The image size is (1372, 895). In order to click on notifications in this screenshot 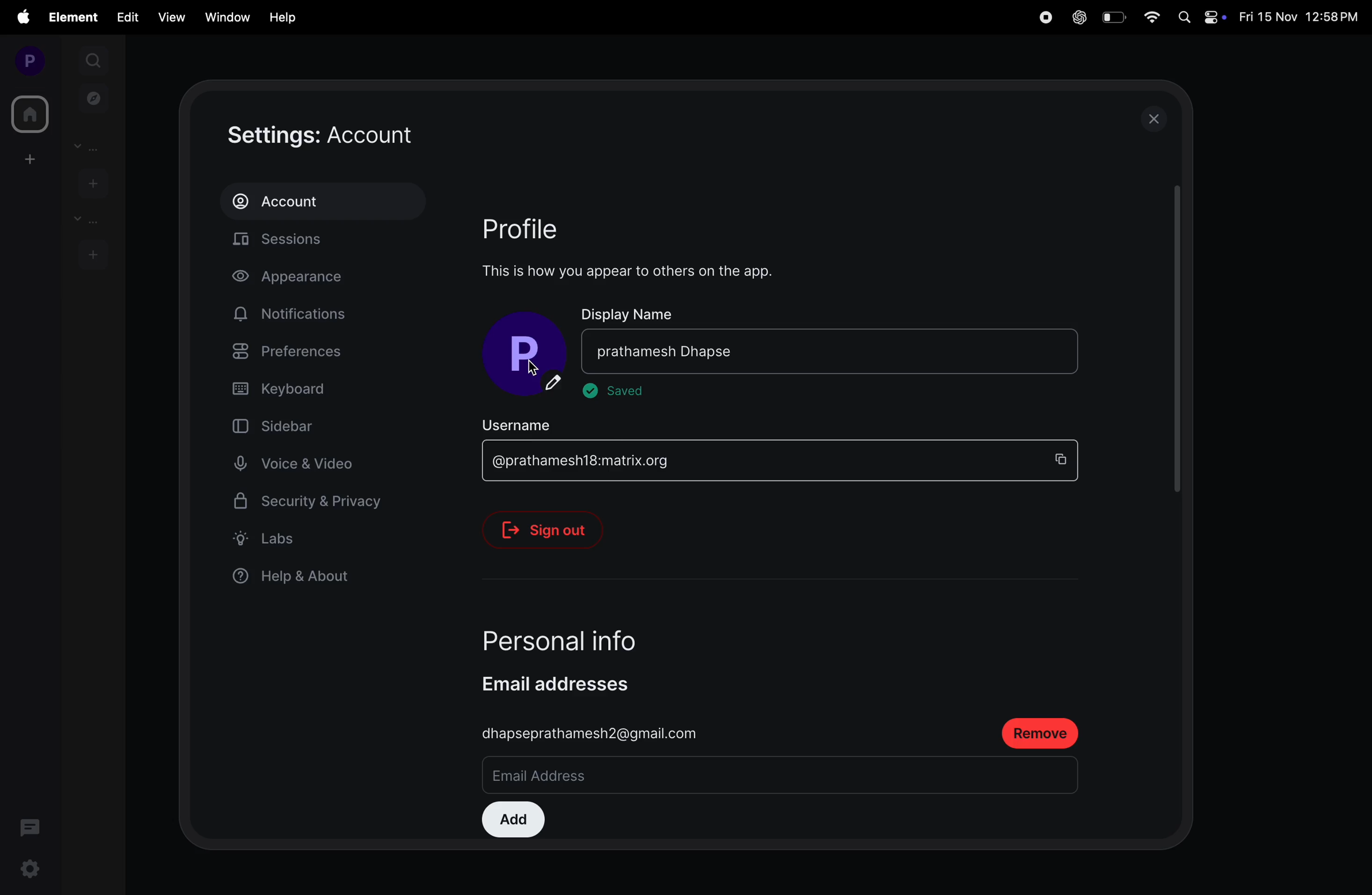, I will do `click(295, 314)`.